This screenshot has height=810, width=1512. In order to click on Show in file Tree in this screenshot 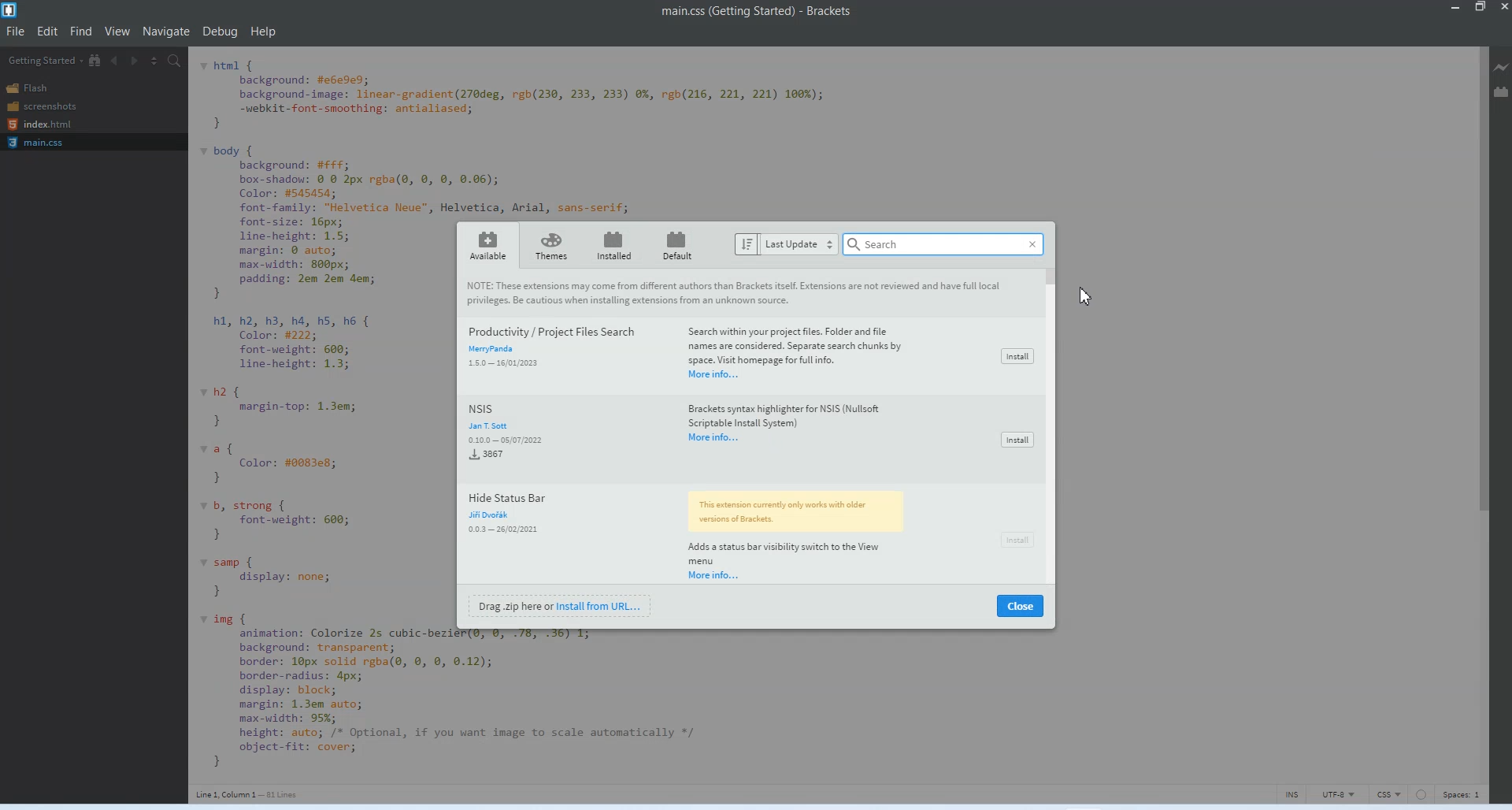, I will do `click(95, 61)`.